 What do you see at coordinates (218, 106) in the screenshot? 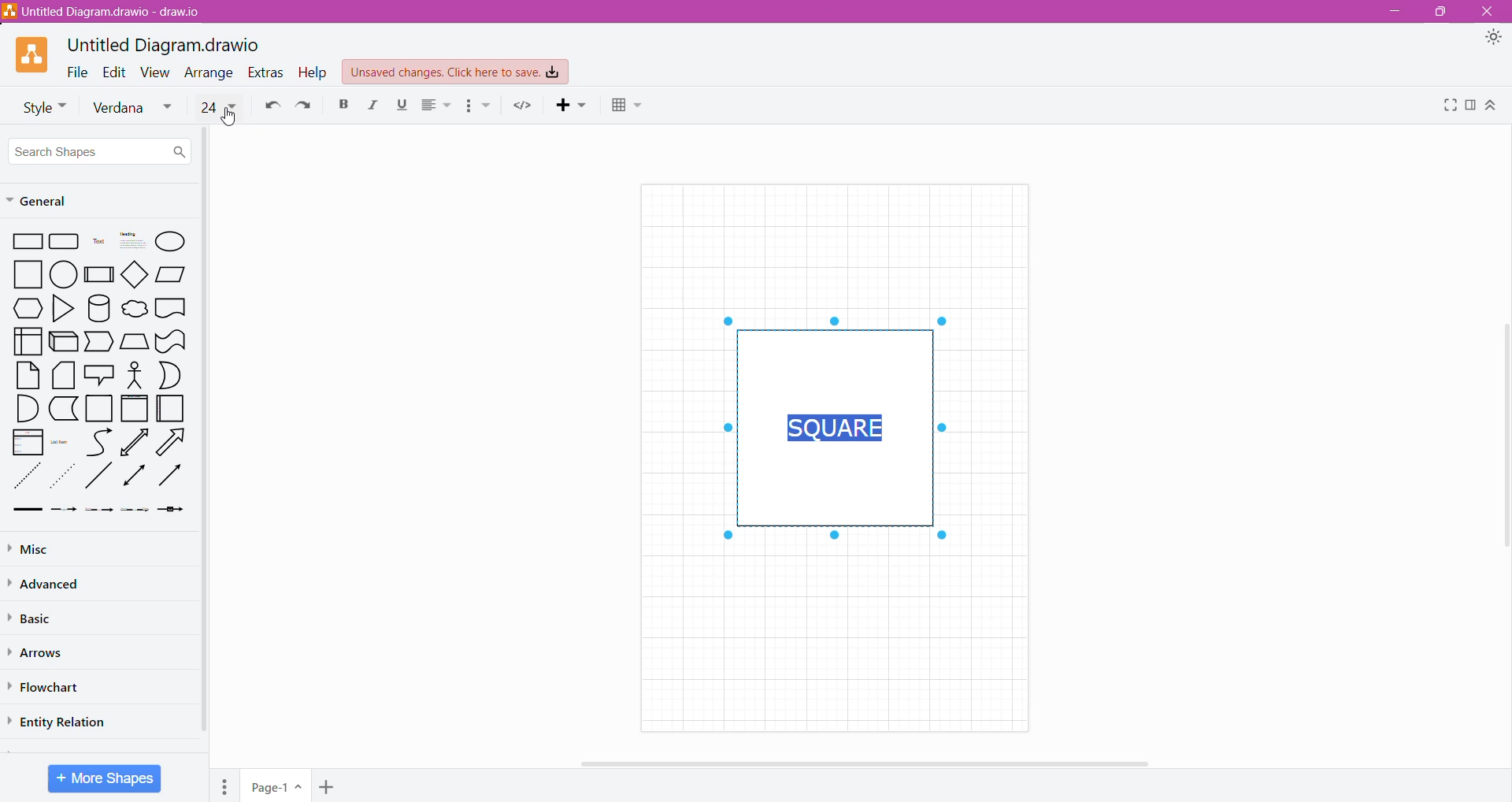
I see `Font size` at bounding box center [218, 106].